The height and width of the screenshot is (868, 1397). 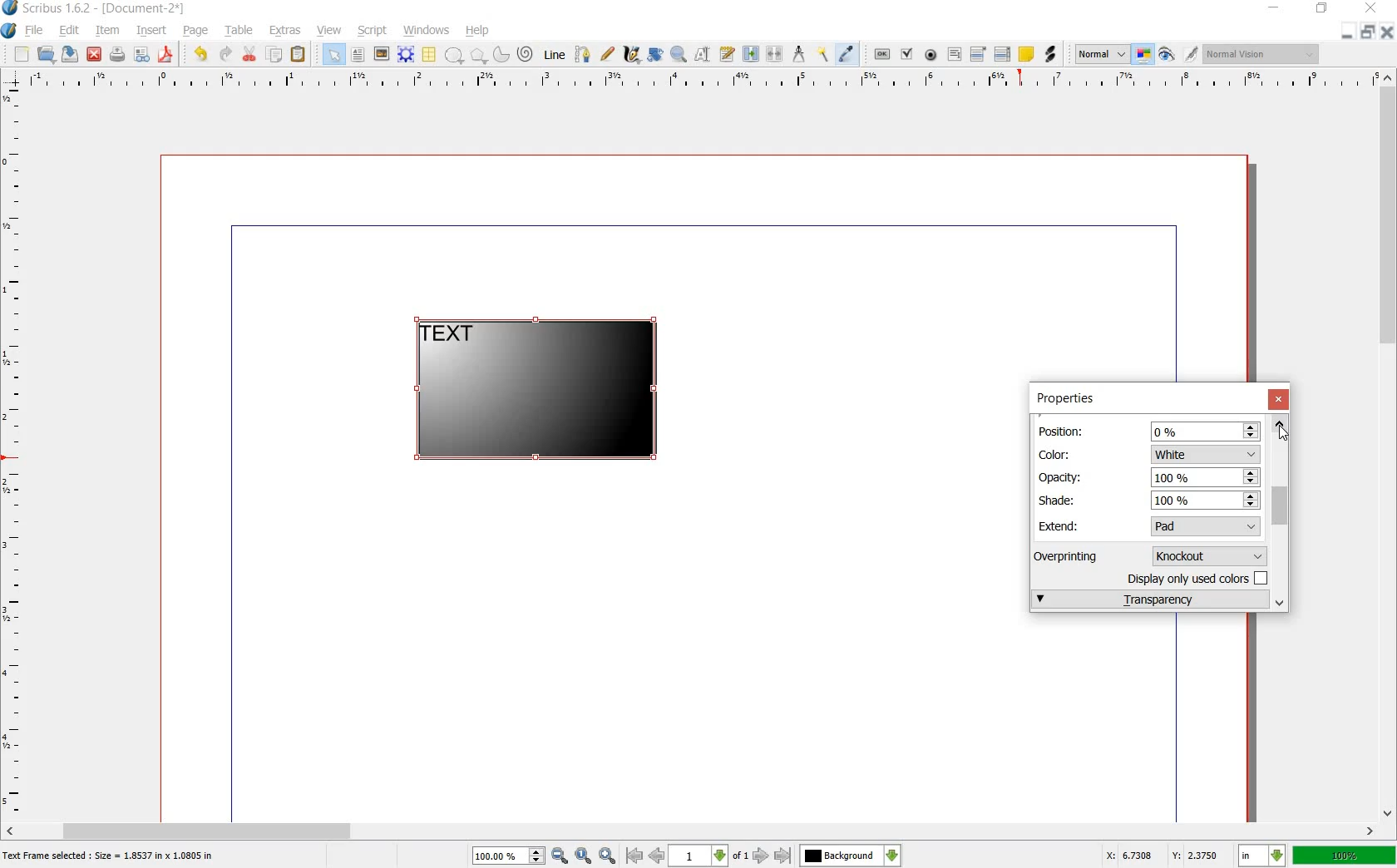 I want to click on toggle color management system, so click(x=1144, y=55).